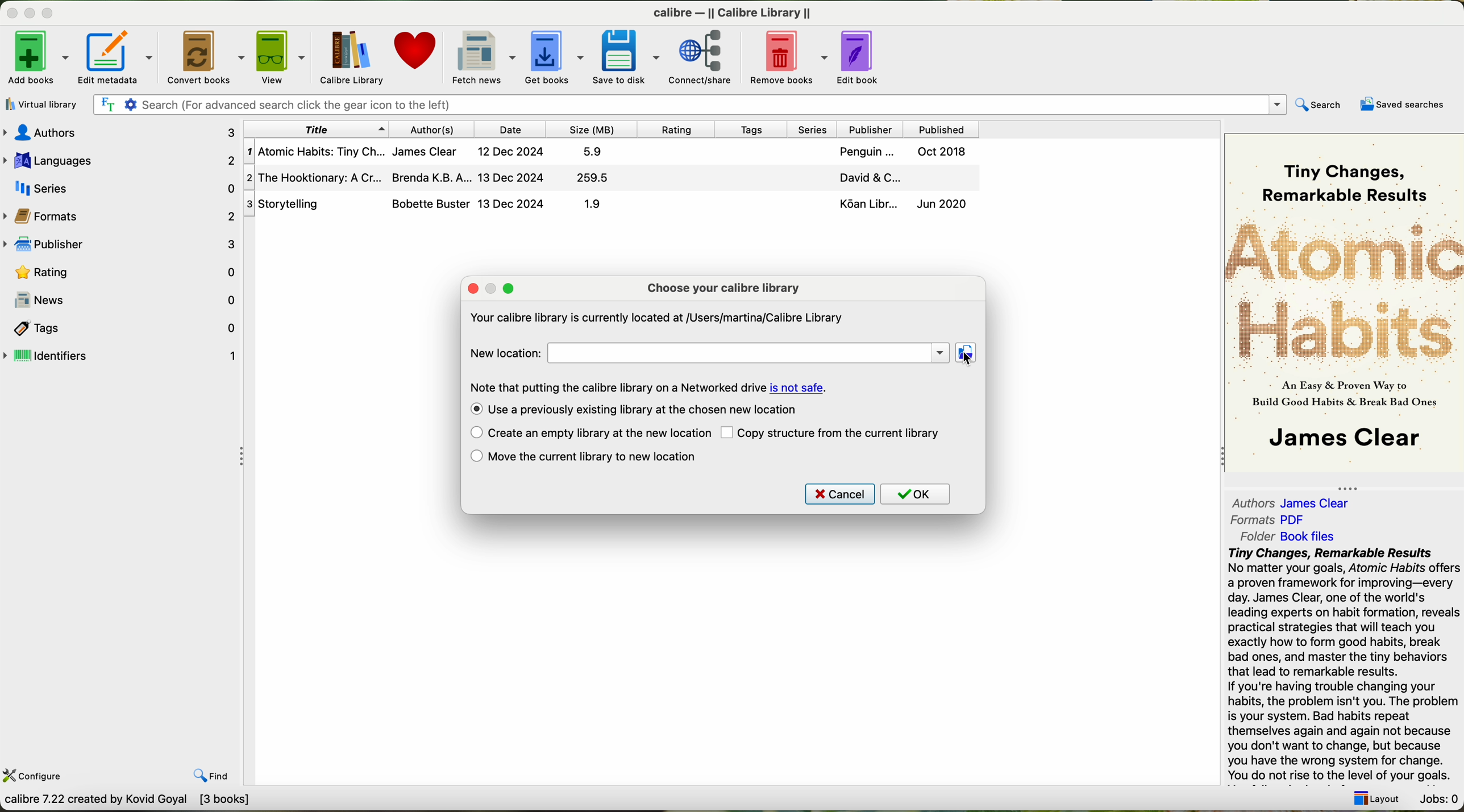  I want to click on find, so click(210, 776).